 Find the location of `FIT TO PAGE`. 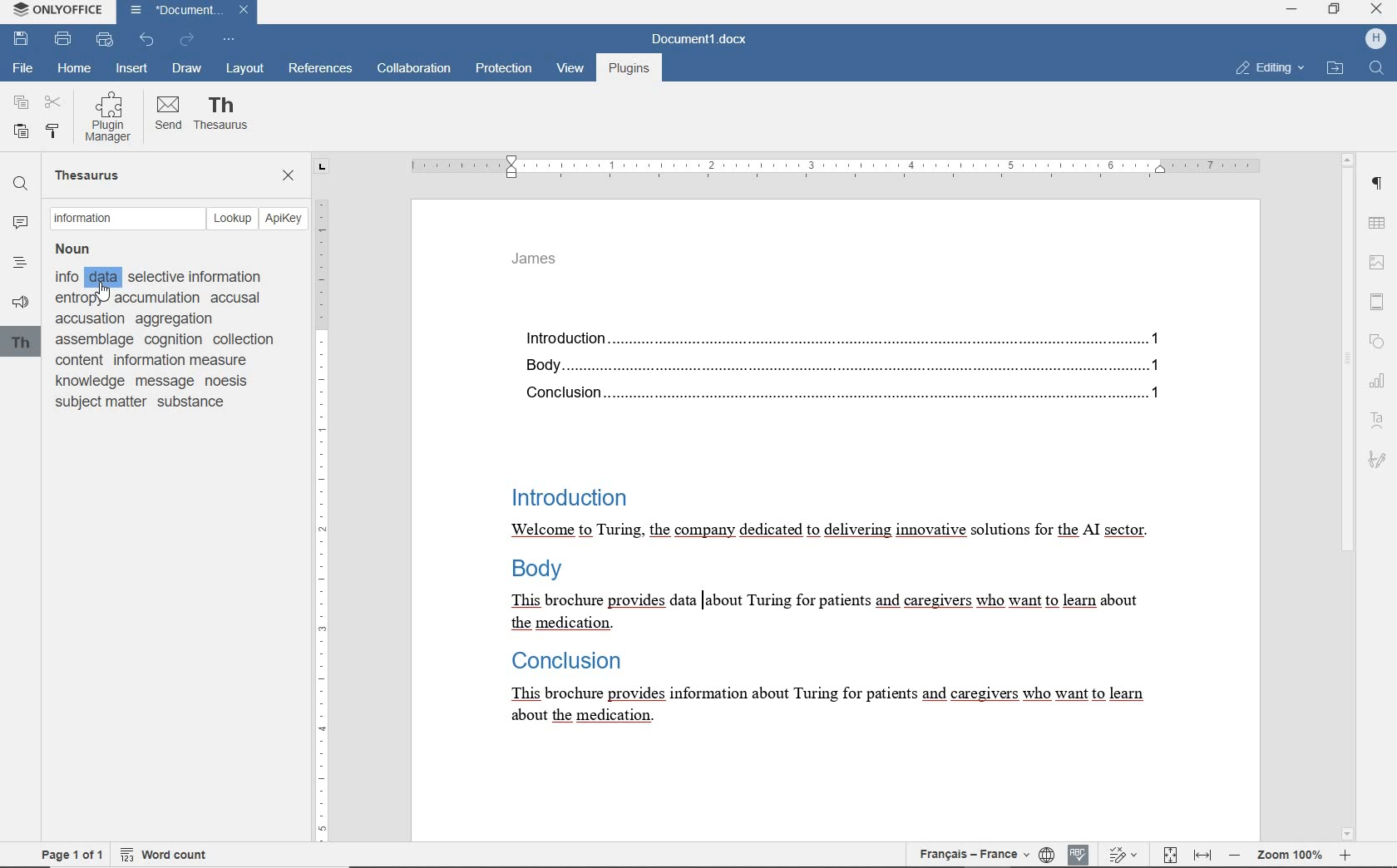

FIT TO PAGE is located at coordinates (1168, 855).